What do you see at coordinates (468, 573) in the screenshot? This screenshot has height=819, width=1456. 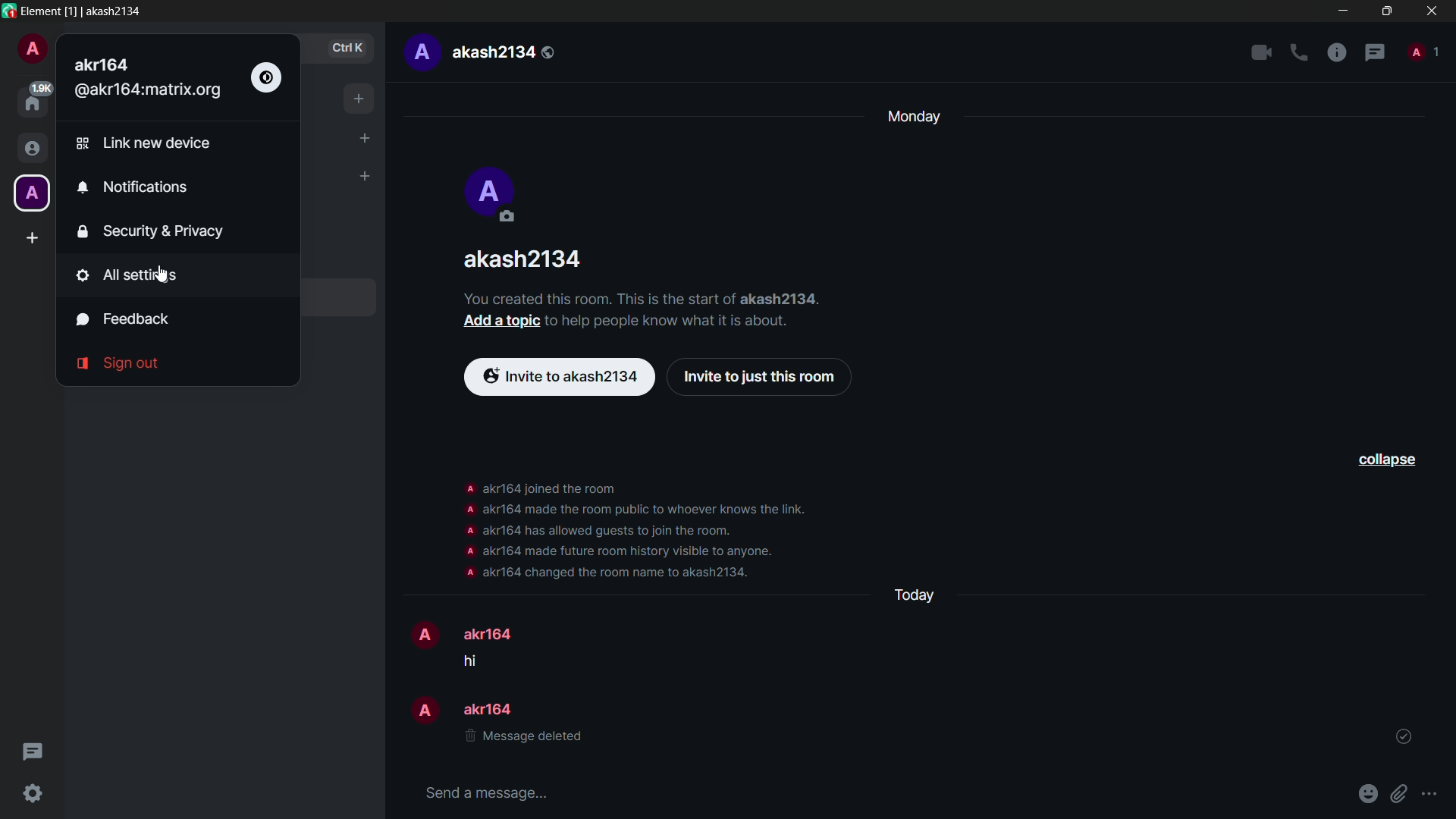 I see `profile` at bounding box center [468, 573].